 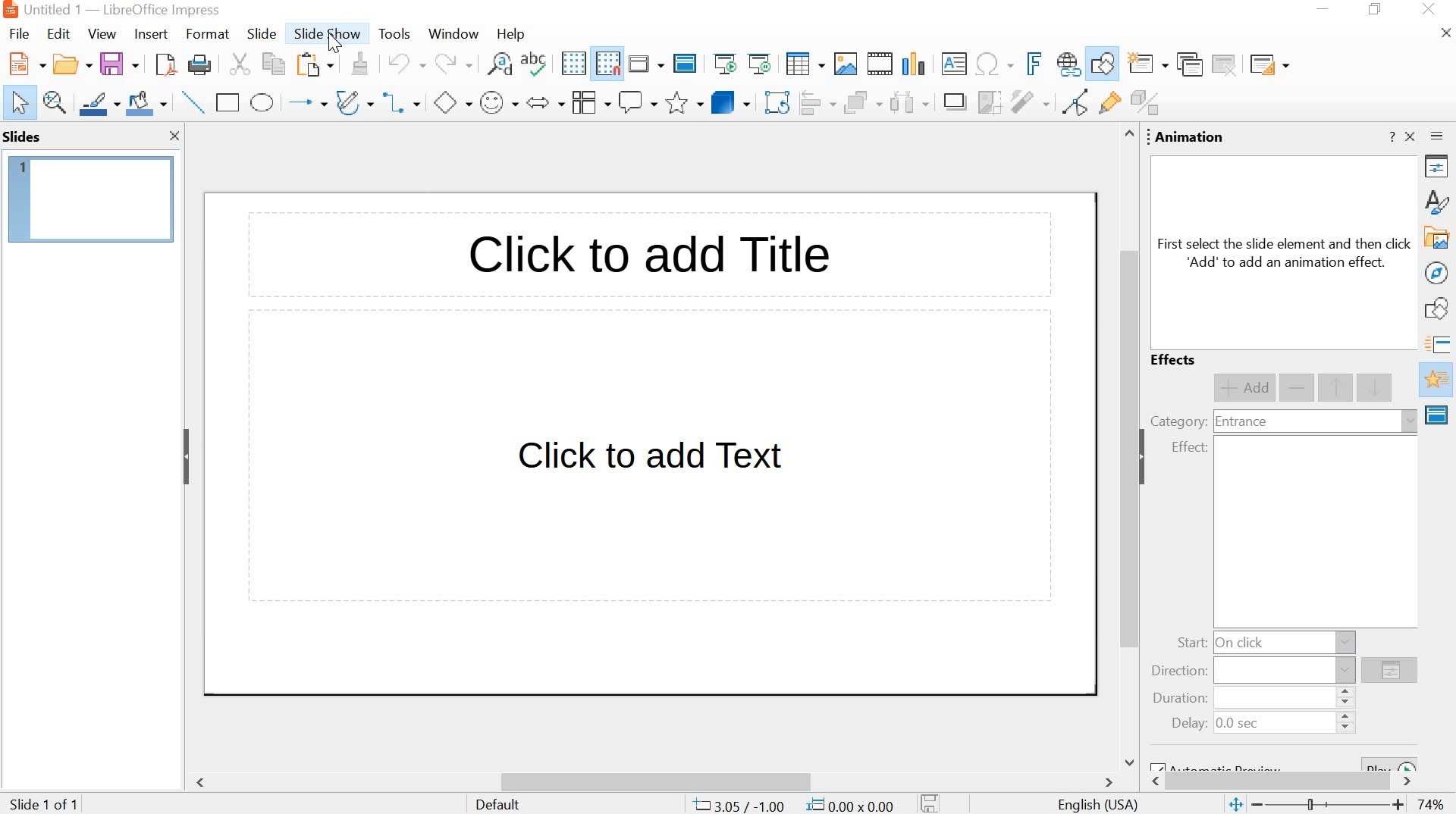 I want to click on properties, so click(x=1439, y=169).